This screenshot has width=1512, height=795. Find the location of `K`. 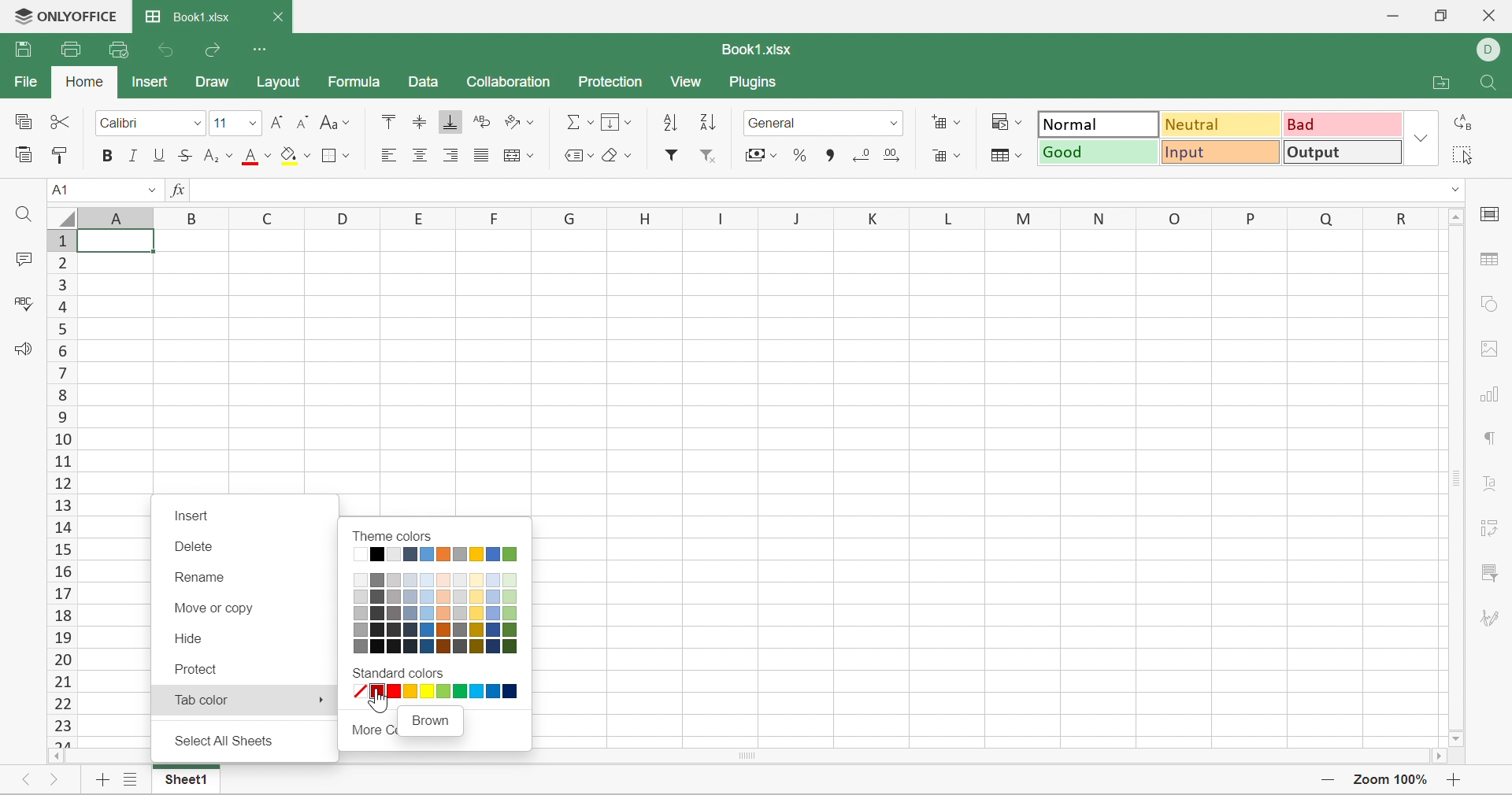

K is located at coordinates (865, 217).